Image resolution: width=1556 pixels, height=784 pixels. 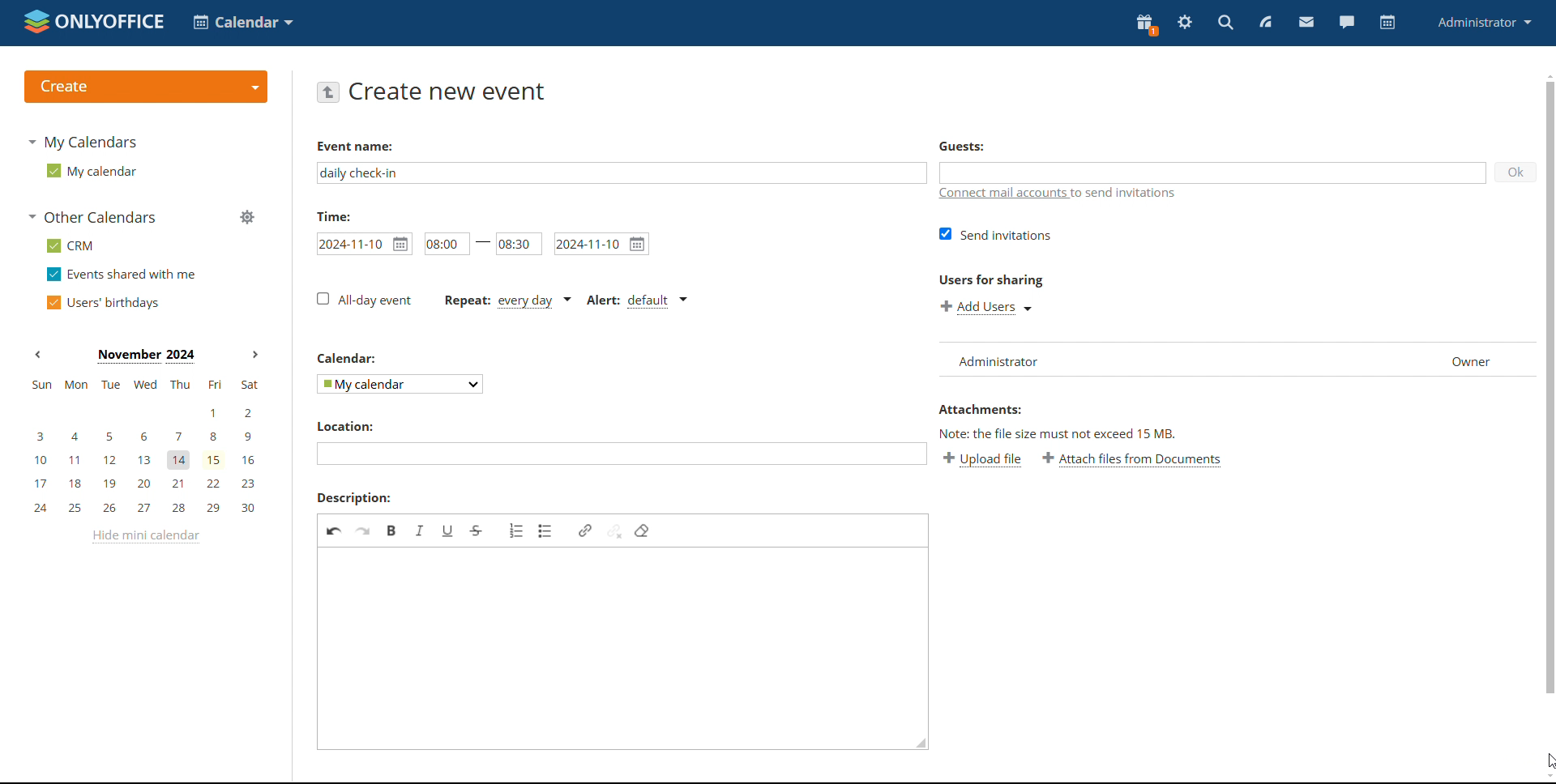 I want to click on mail, so click(x=1307, y=23).